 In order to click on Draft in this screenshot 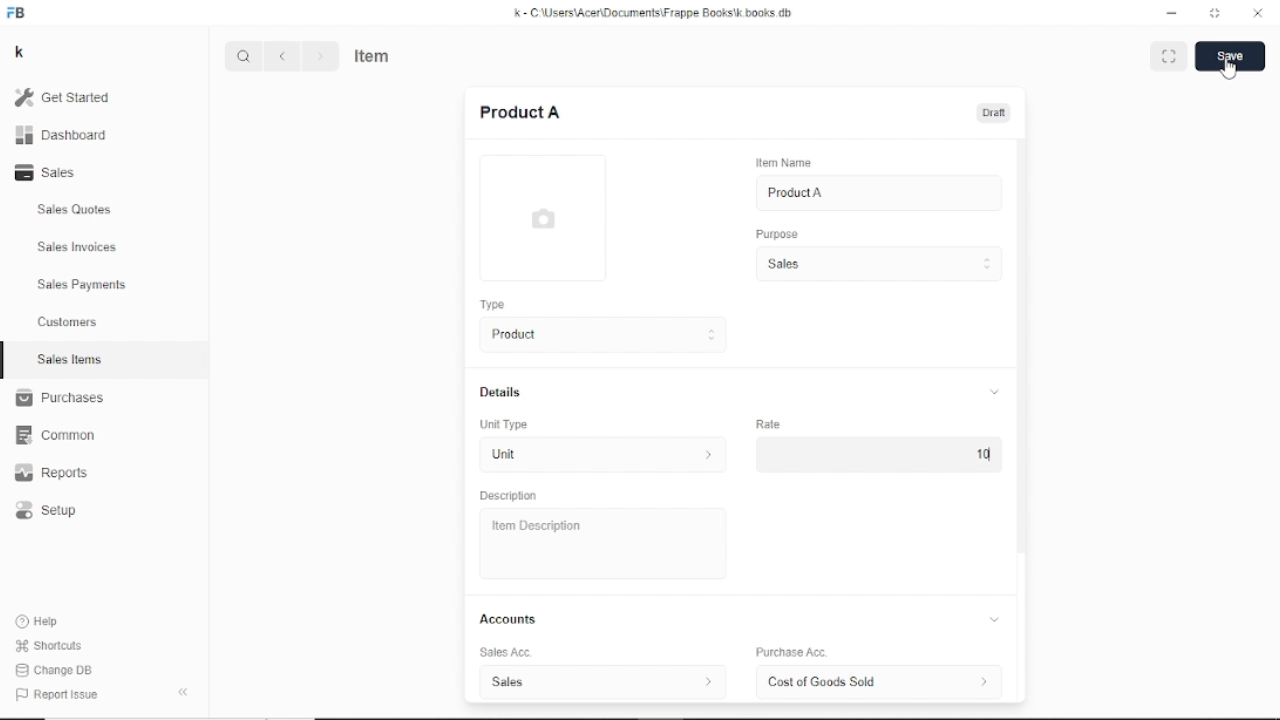, I will do `click(996, 113)`.